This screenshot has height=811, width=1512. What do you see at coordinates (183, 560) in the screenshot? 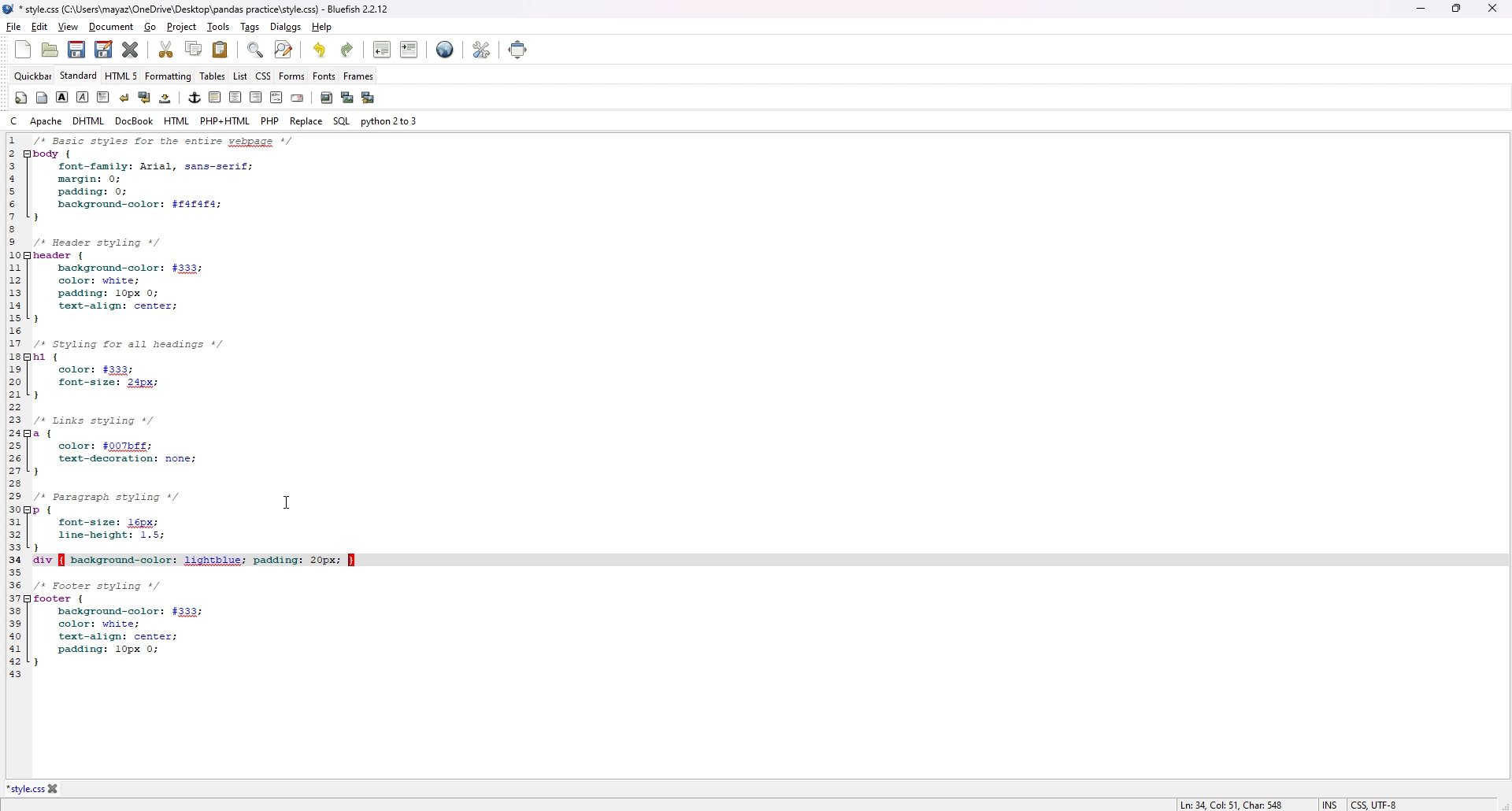
I see `34 div { background-color: lightblue; padding: 20px; }` at bounding box center [183, 560].